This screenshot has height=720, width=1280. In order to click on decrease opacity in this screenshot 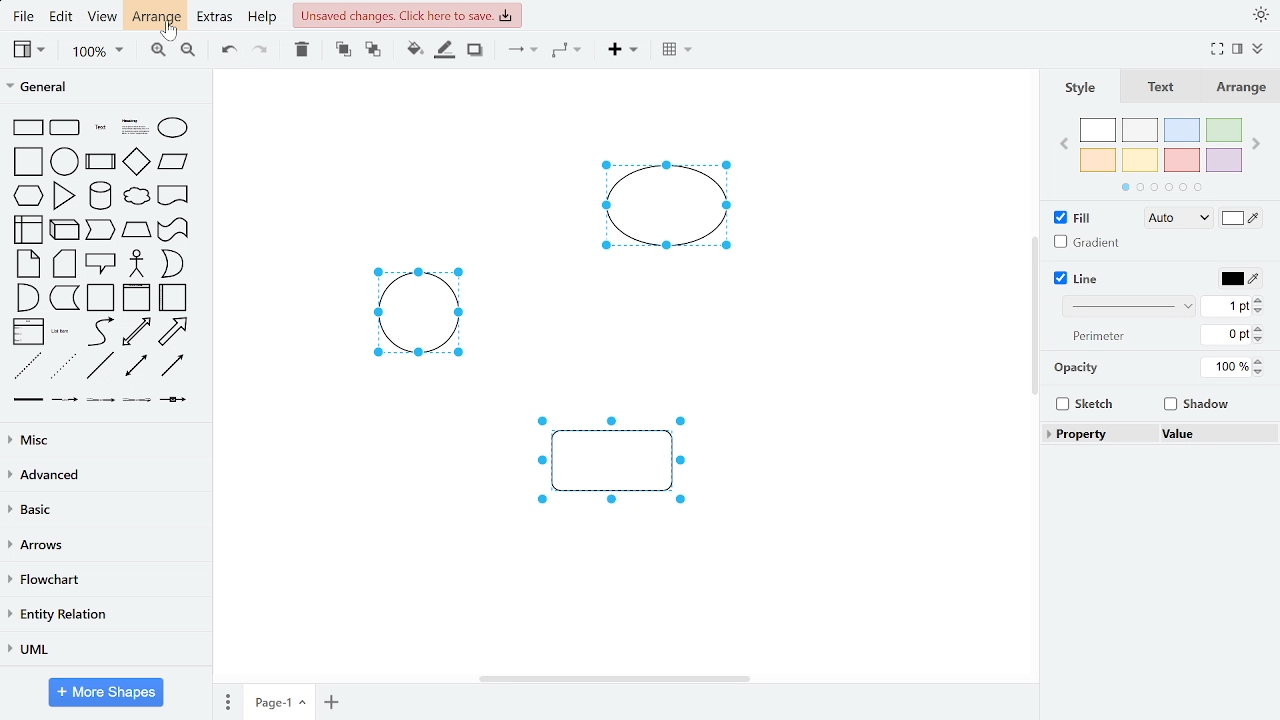, I will do `click(1259, 372)`.